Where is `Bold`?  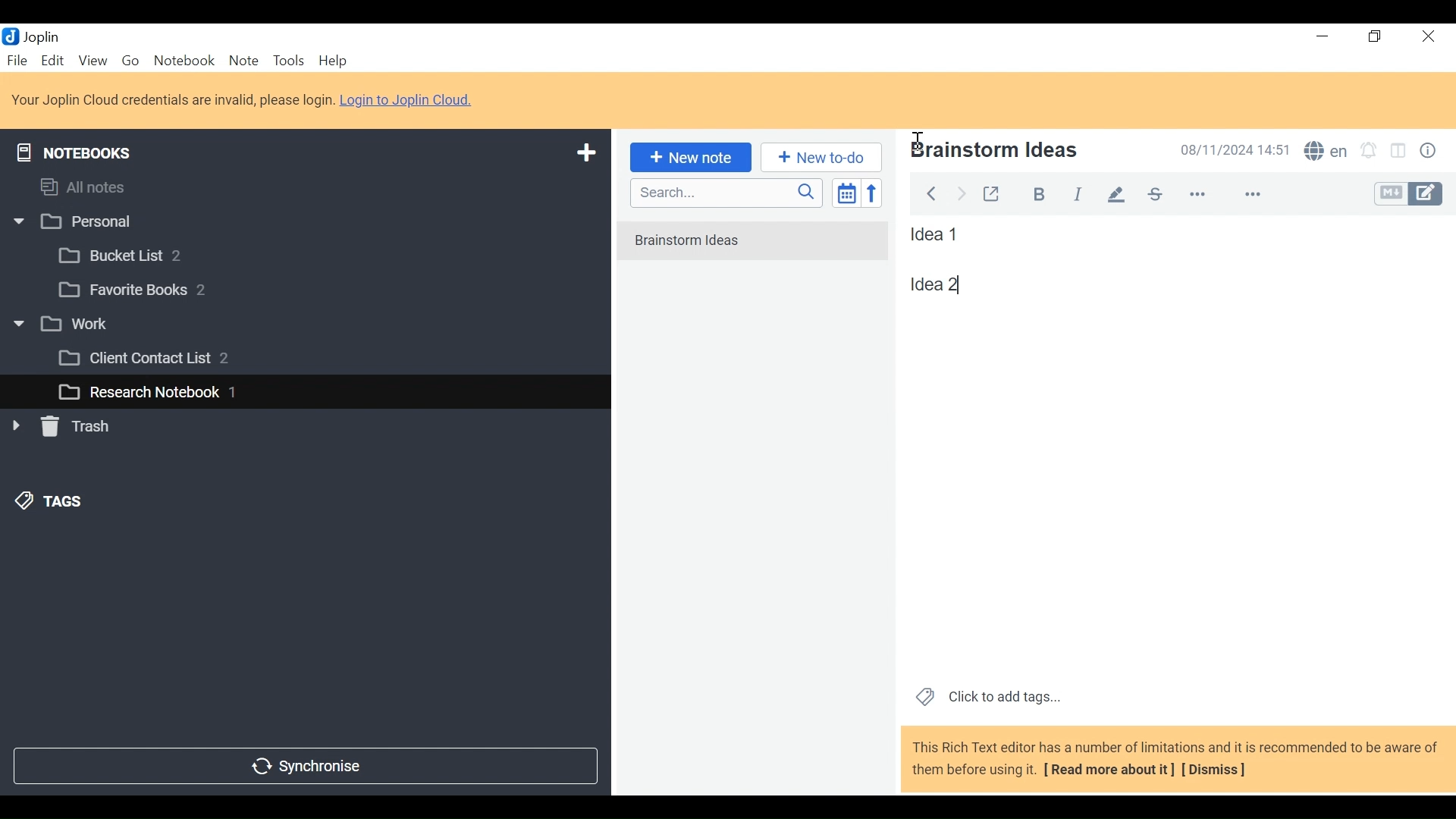
Bold is located at coordinates (1032, 192).